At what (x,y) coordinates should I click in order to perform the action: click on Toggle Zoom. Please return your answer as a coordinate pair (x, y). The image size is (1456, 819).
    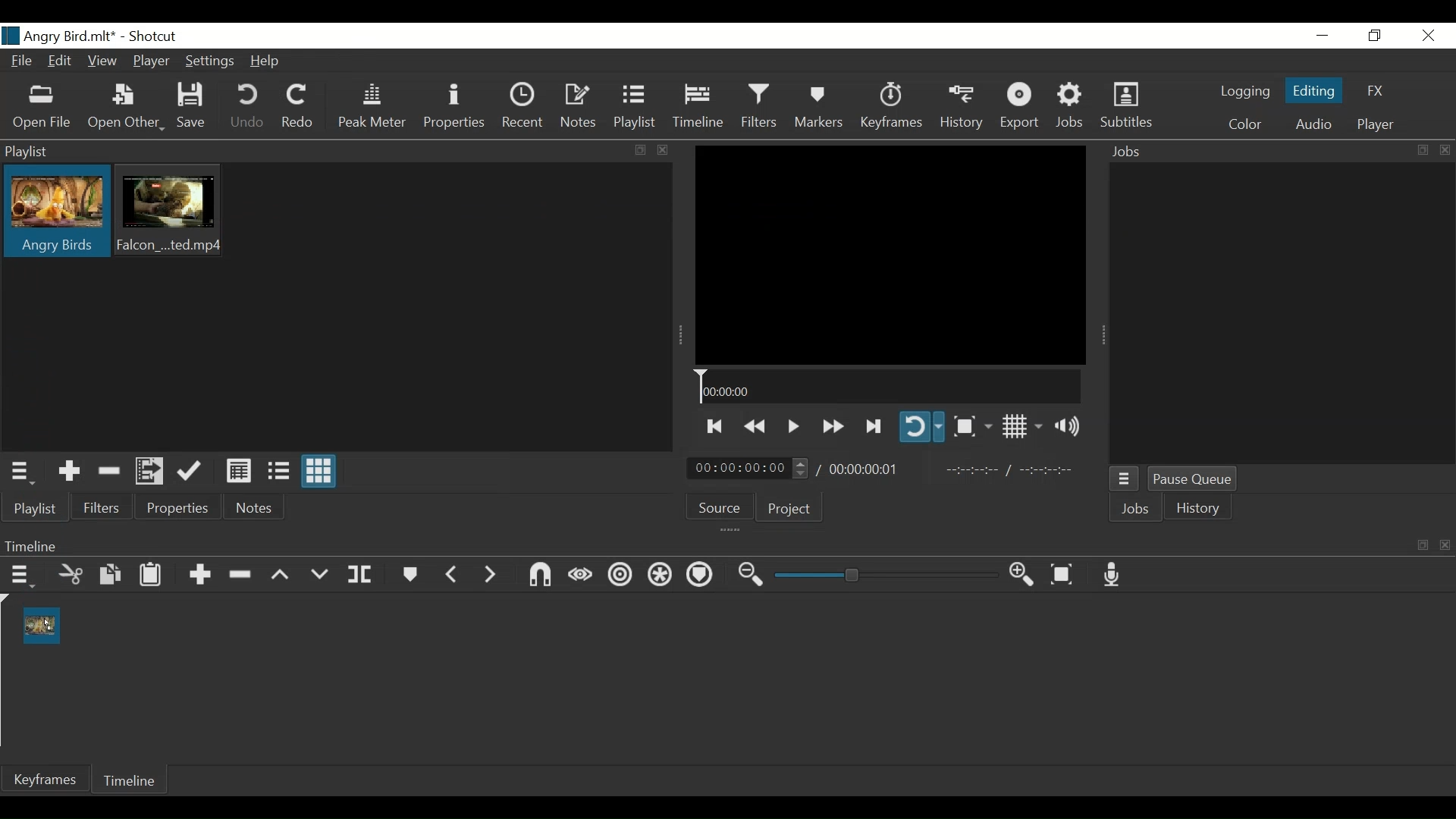
    Looking at the image, I should click on (972, 426).